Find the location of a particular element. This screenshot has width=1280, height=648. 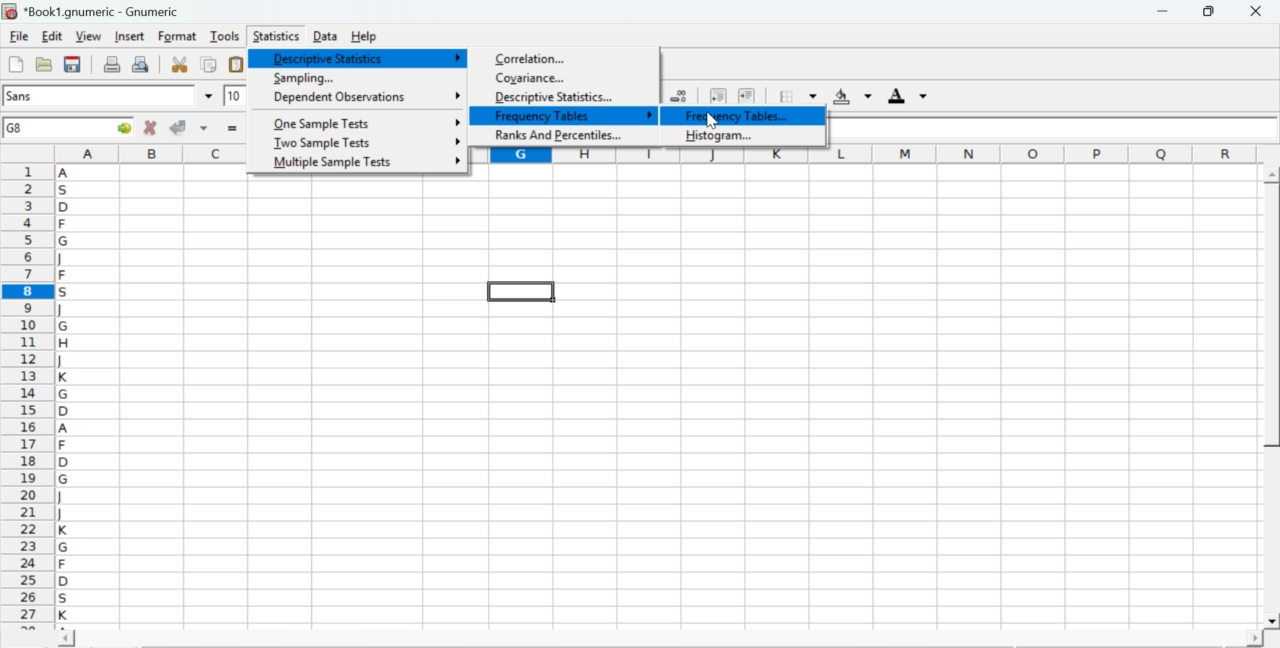

decrease number of decimals displayed is located at coordinates (678, 97).